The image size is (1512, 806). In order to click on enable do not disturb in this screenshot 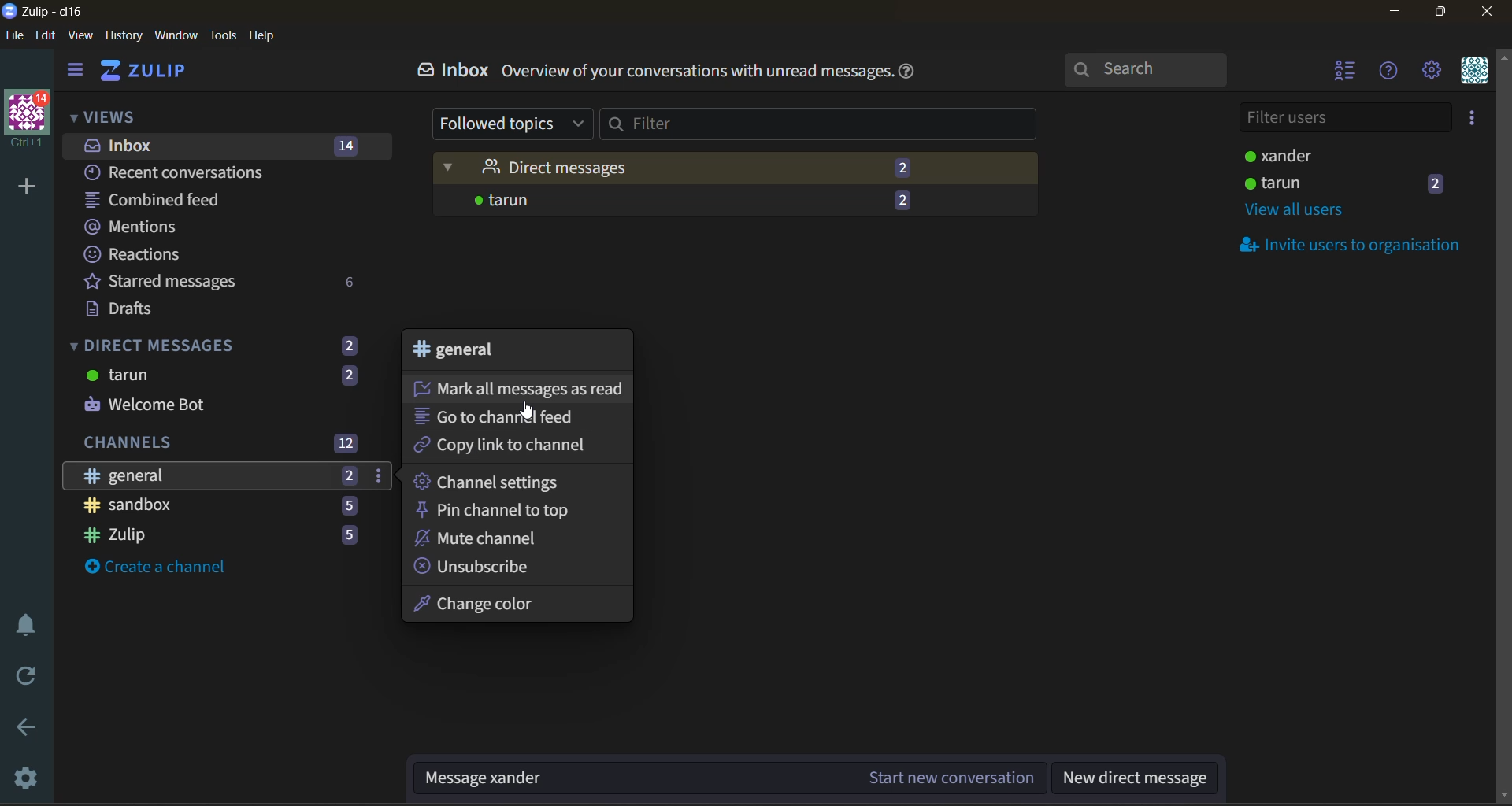, I will do `click(27, 627)`.